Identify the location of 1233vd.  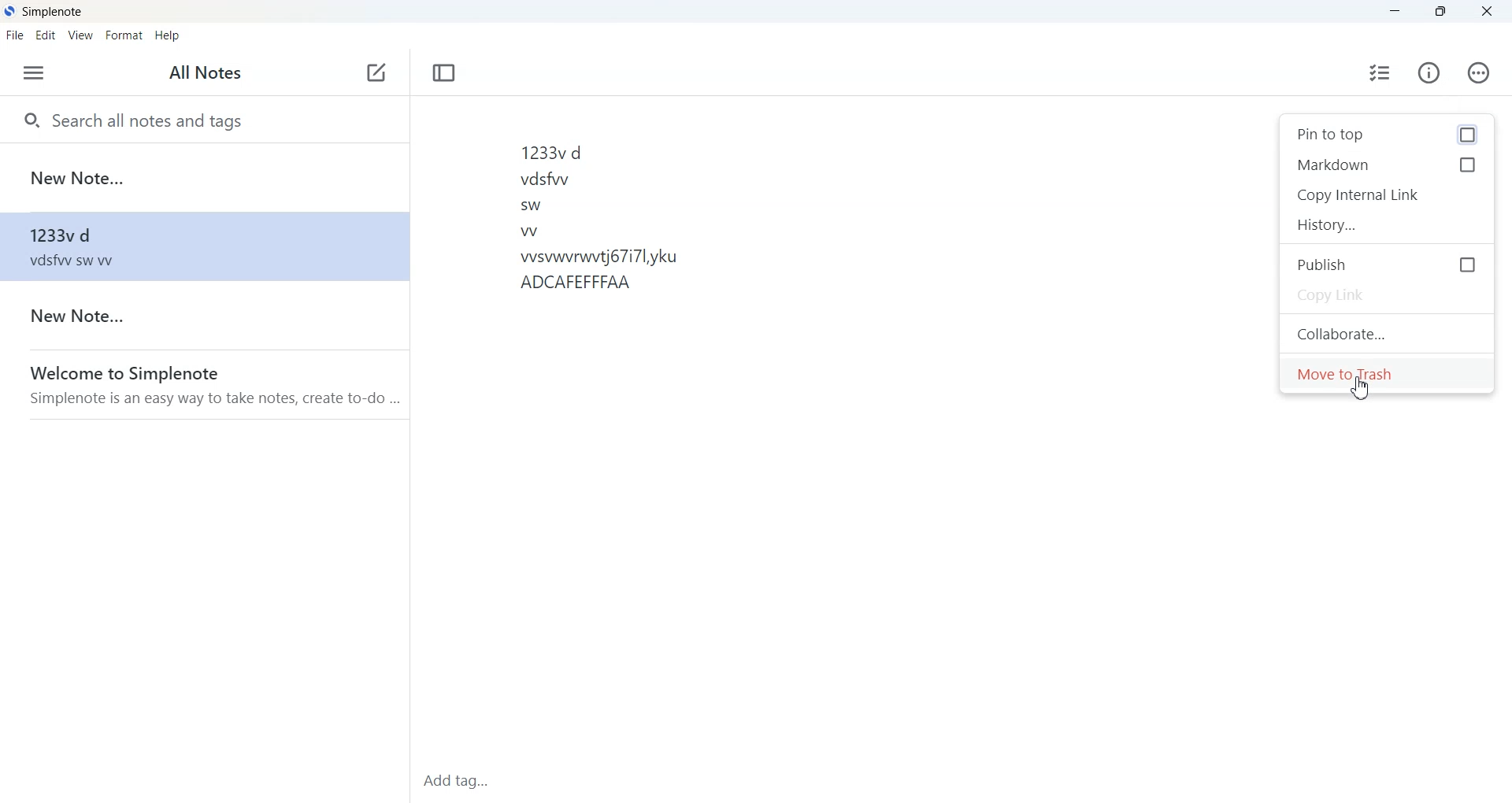
(203, 246).